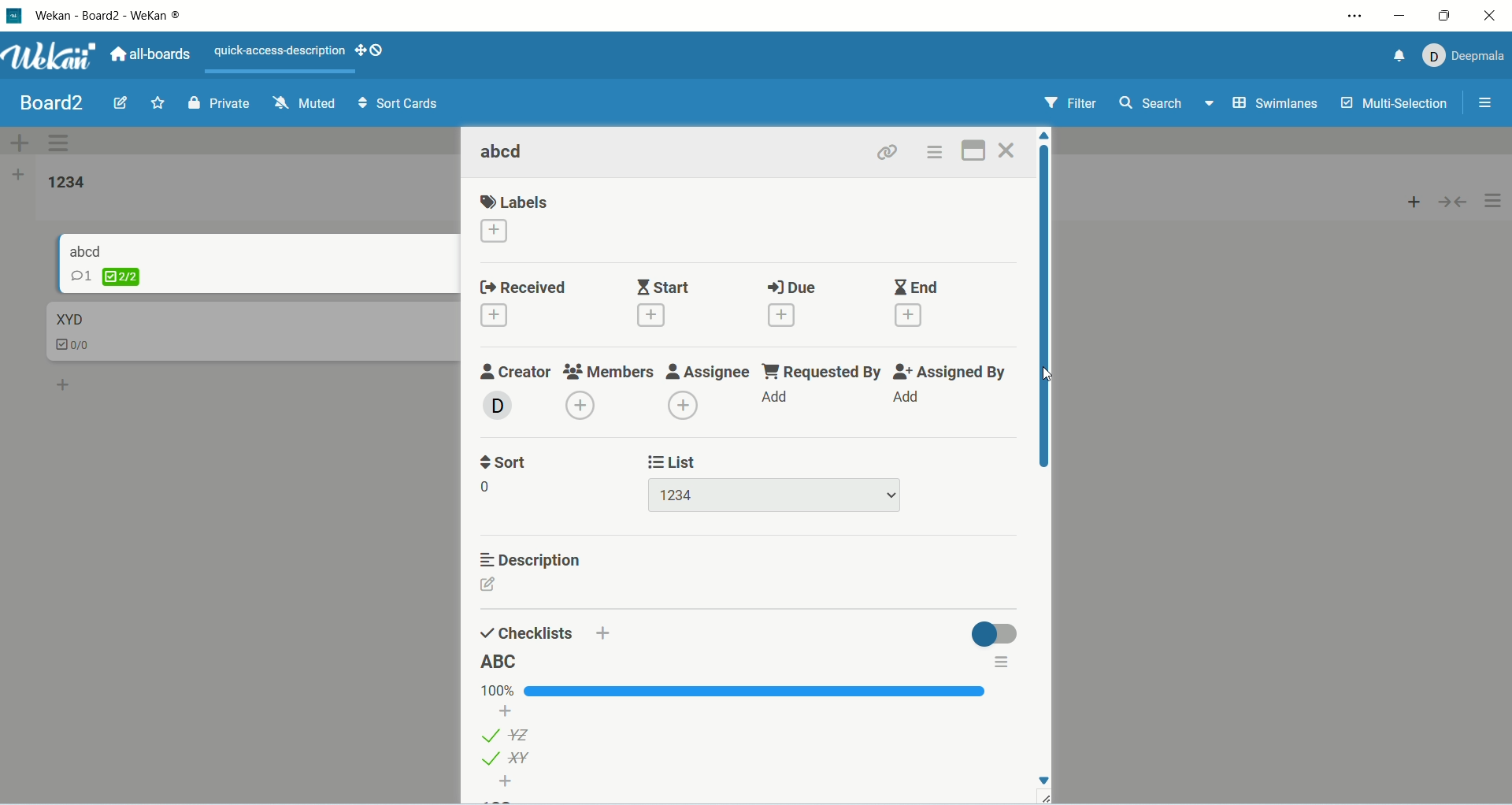 Image resolution: width=1512 pixels, height=805 pixels. What do you see at coordinates (1000, 663) in the screenshot?
I see `options` at bounding box center [1000, 663].